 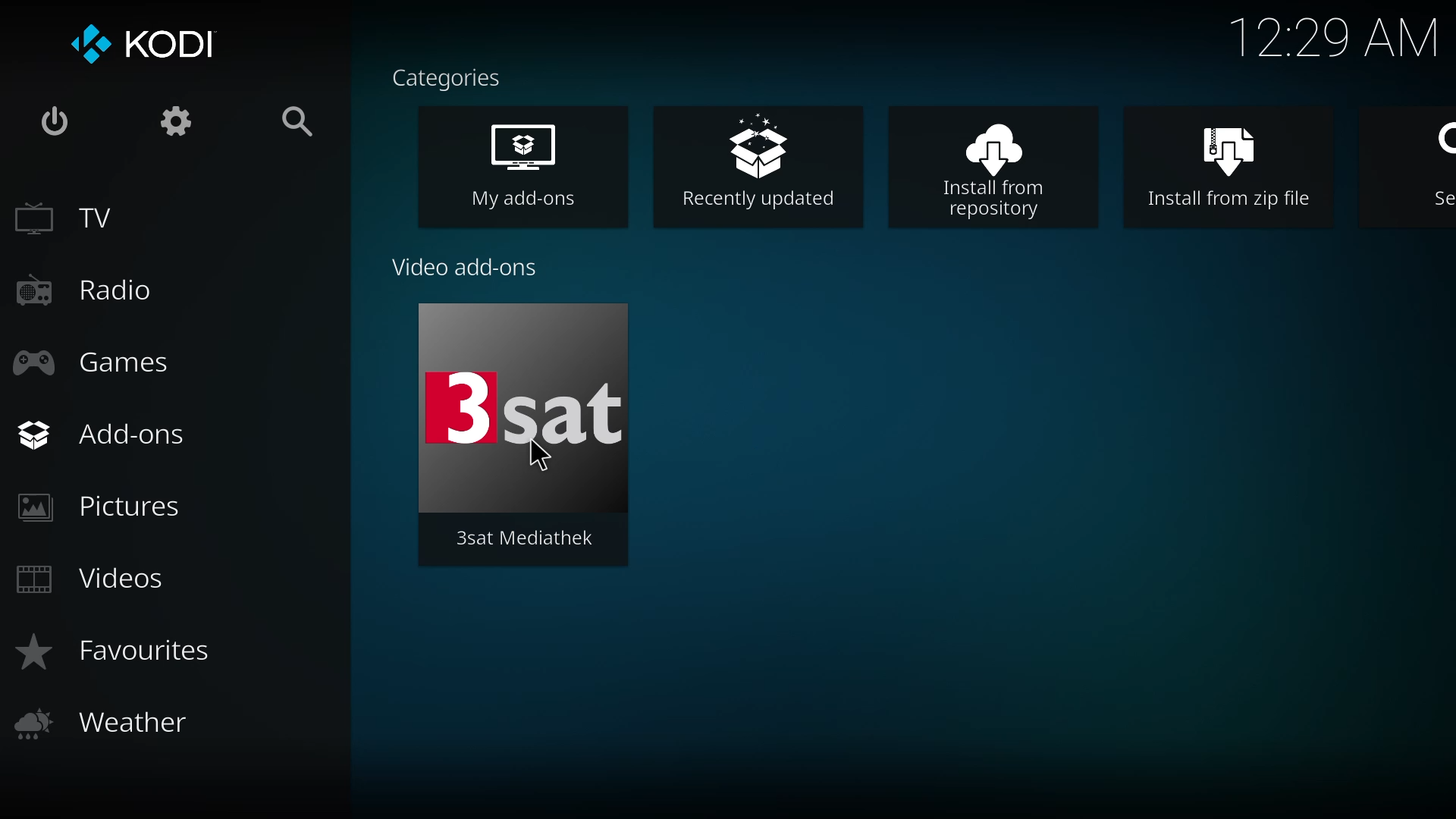 I want to click on 3sat, so click(x=522, y=408).